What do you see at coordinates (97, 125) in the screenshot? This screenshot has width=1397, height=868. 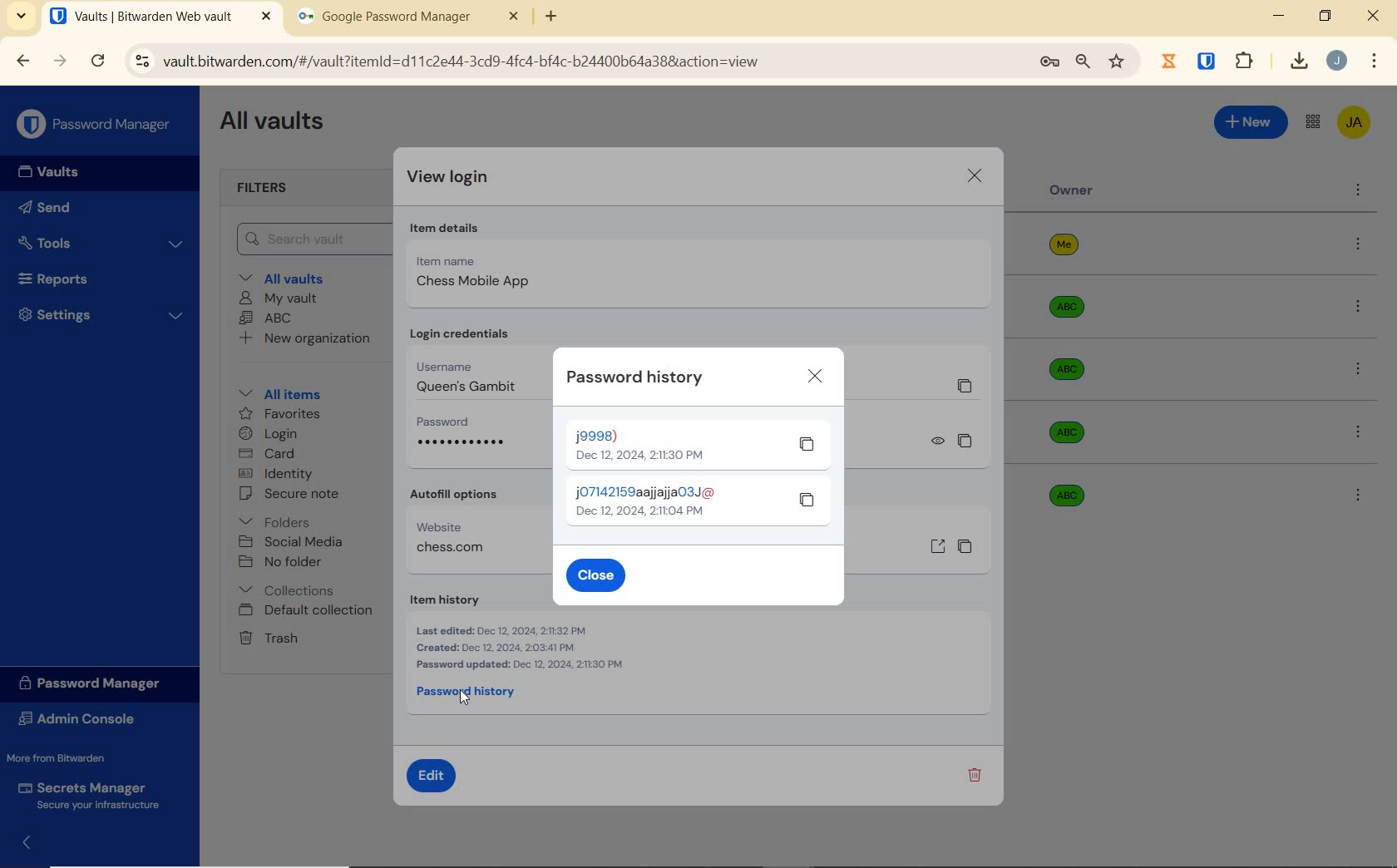 I see `Password Manager` at bounding box center [97, 125].